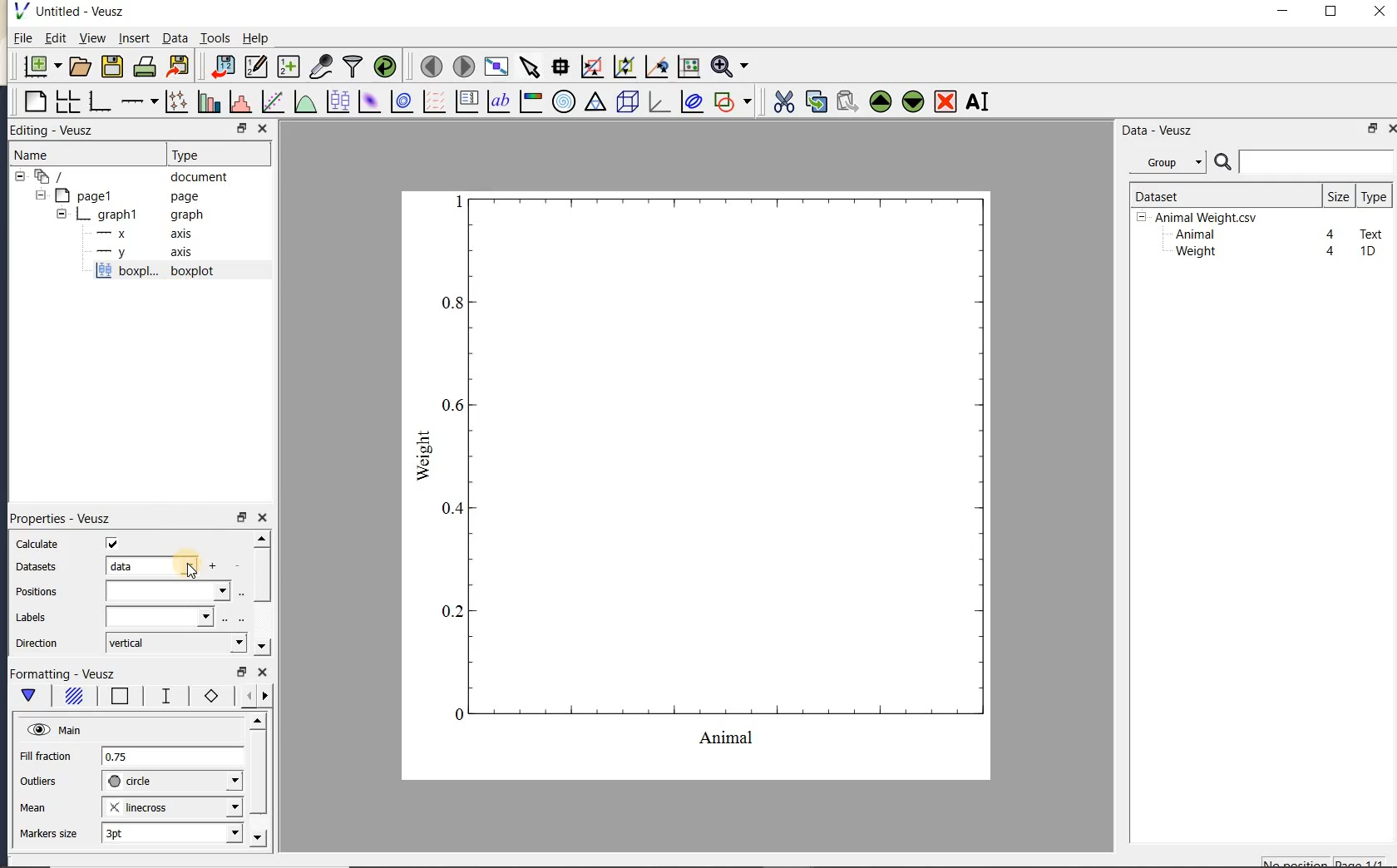 This screenshot has width=1397, height=868. What do you see at coordinates (690, 101) in the screenshot?
I see `plot covariance ellipses` at bounding box center [690, 101].